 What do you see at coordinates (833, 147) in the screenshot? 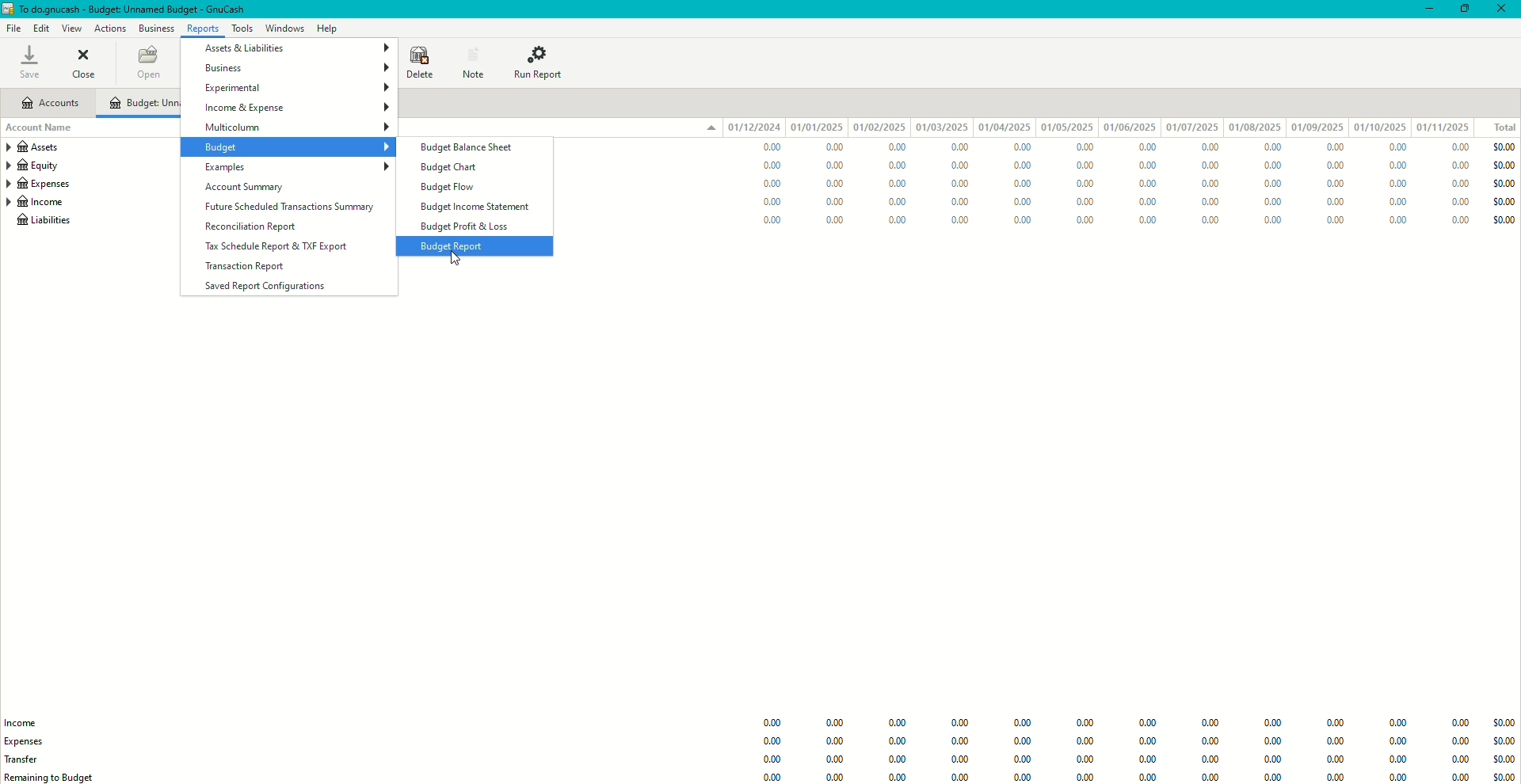
I see `0.00` at bounding box center [833, 147].